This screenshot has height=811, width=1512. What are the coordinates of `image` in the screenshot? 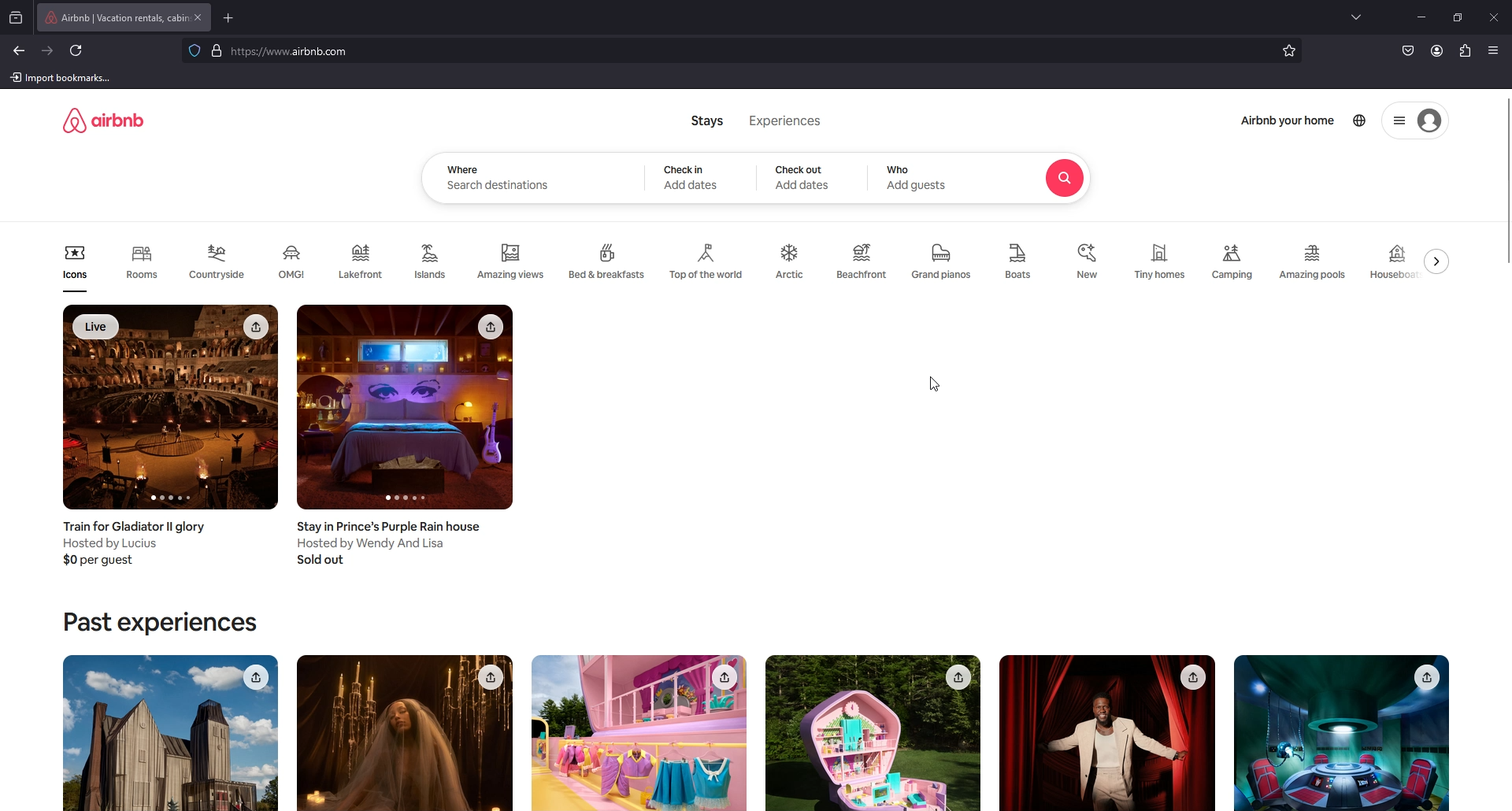 It's located at (638, 733).